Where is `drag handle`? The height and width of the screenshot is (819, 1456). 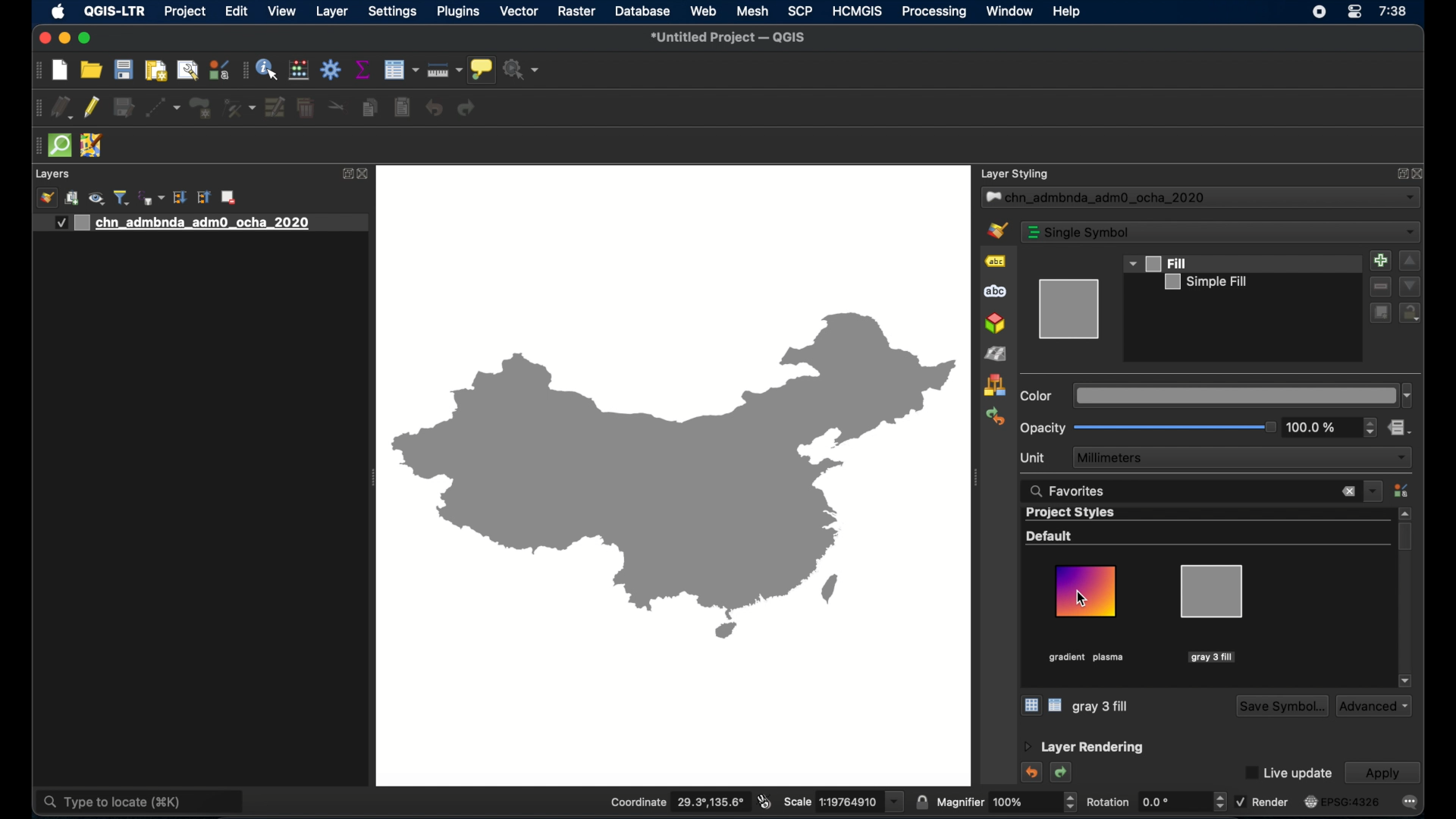 drag handle is located at coordinates (35, 146).